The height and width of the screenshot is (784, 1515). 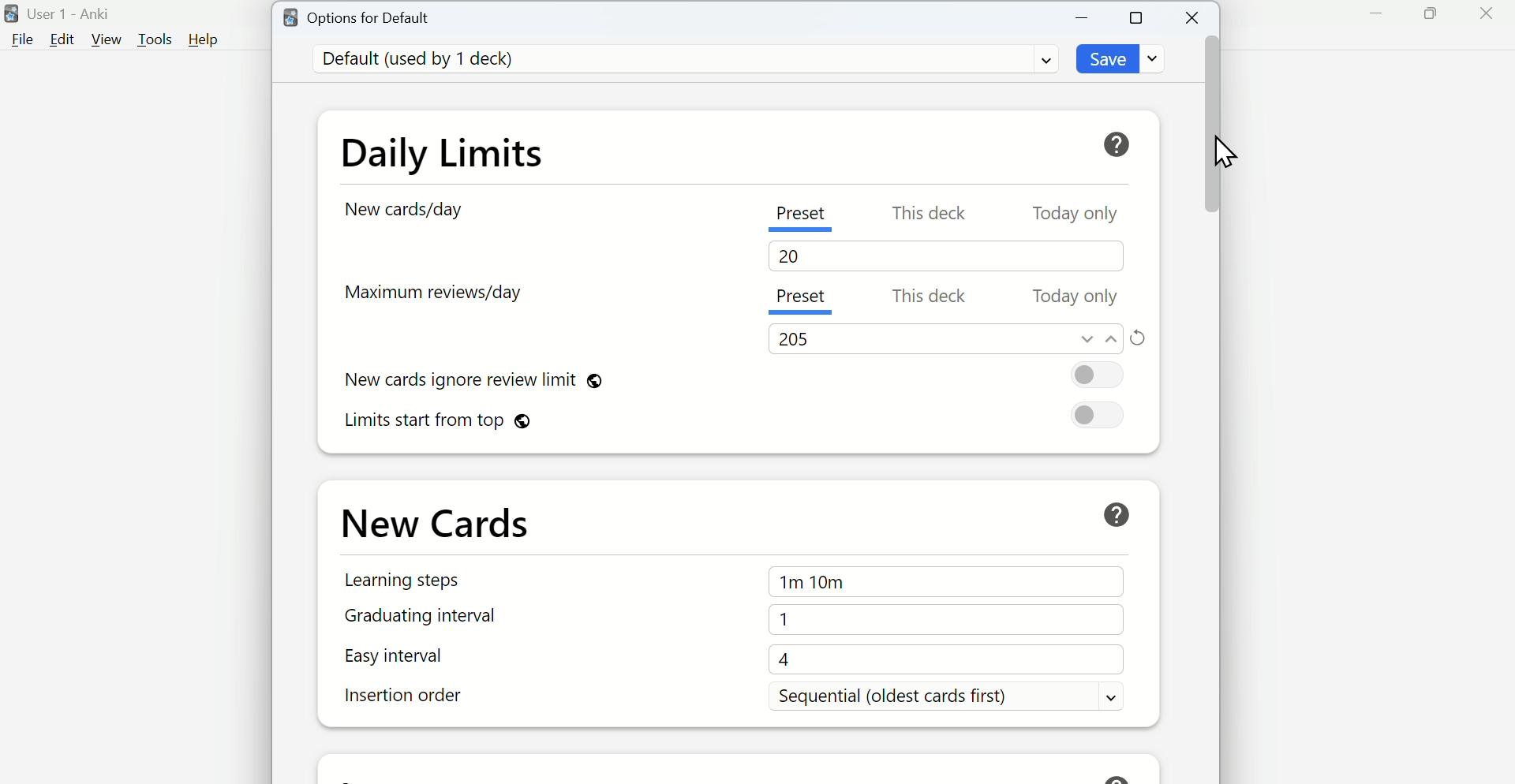 I want to click on 1, so click(x=946, y=620).